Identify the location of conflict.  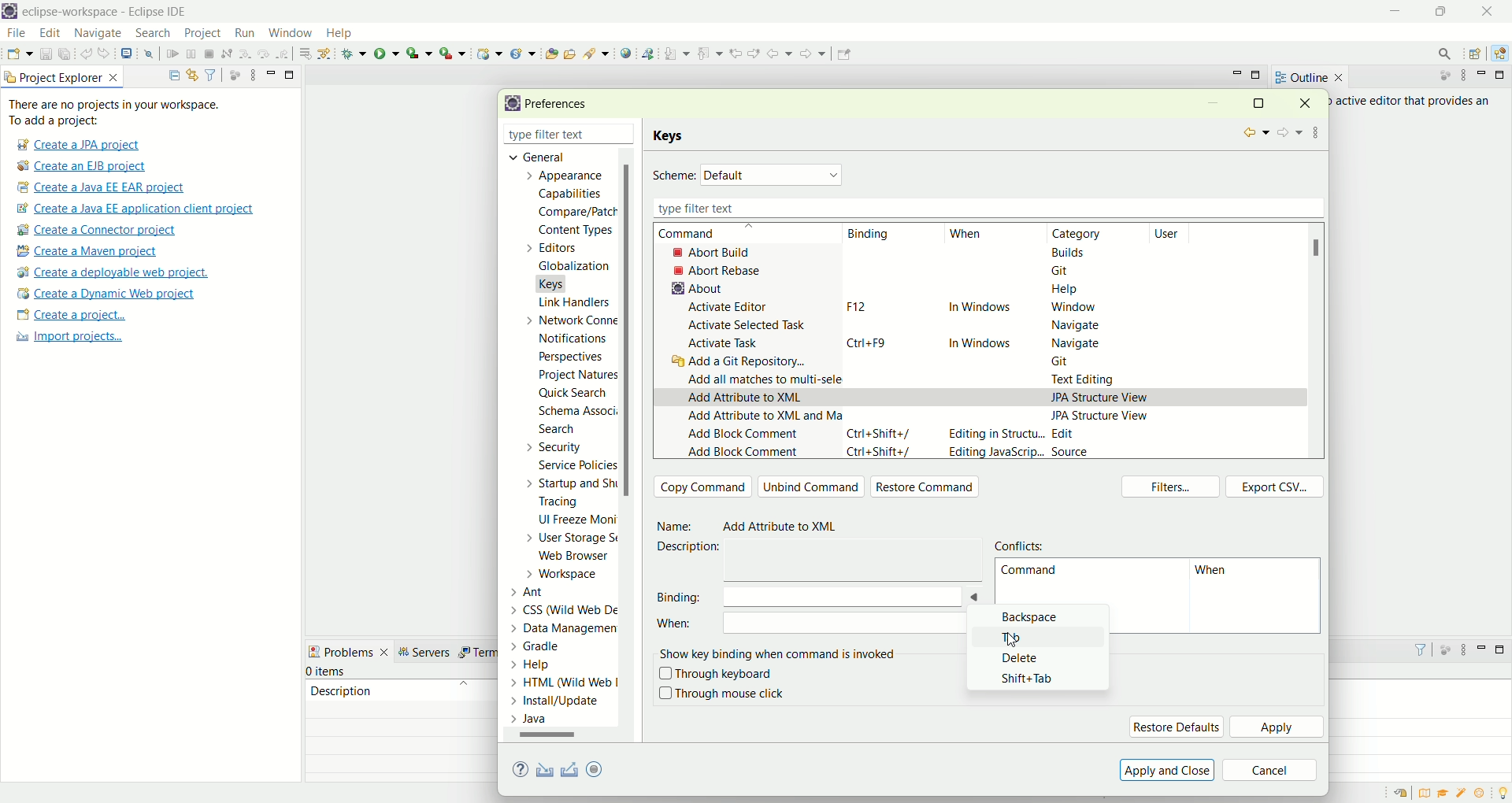
(1023, 544).